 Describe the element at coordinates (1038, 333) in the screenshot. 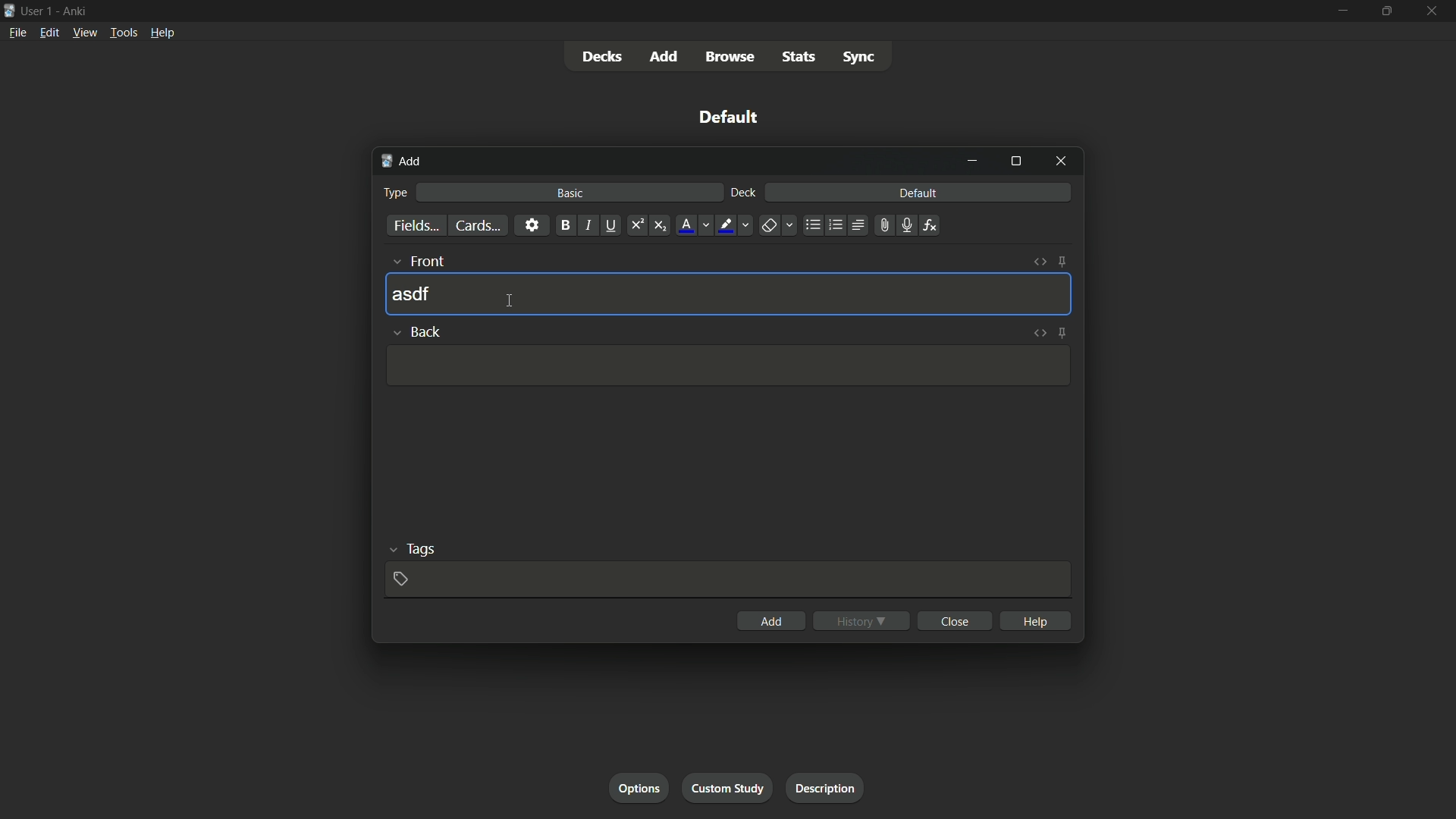

I see `toggle html editor` at that location.